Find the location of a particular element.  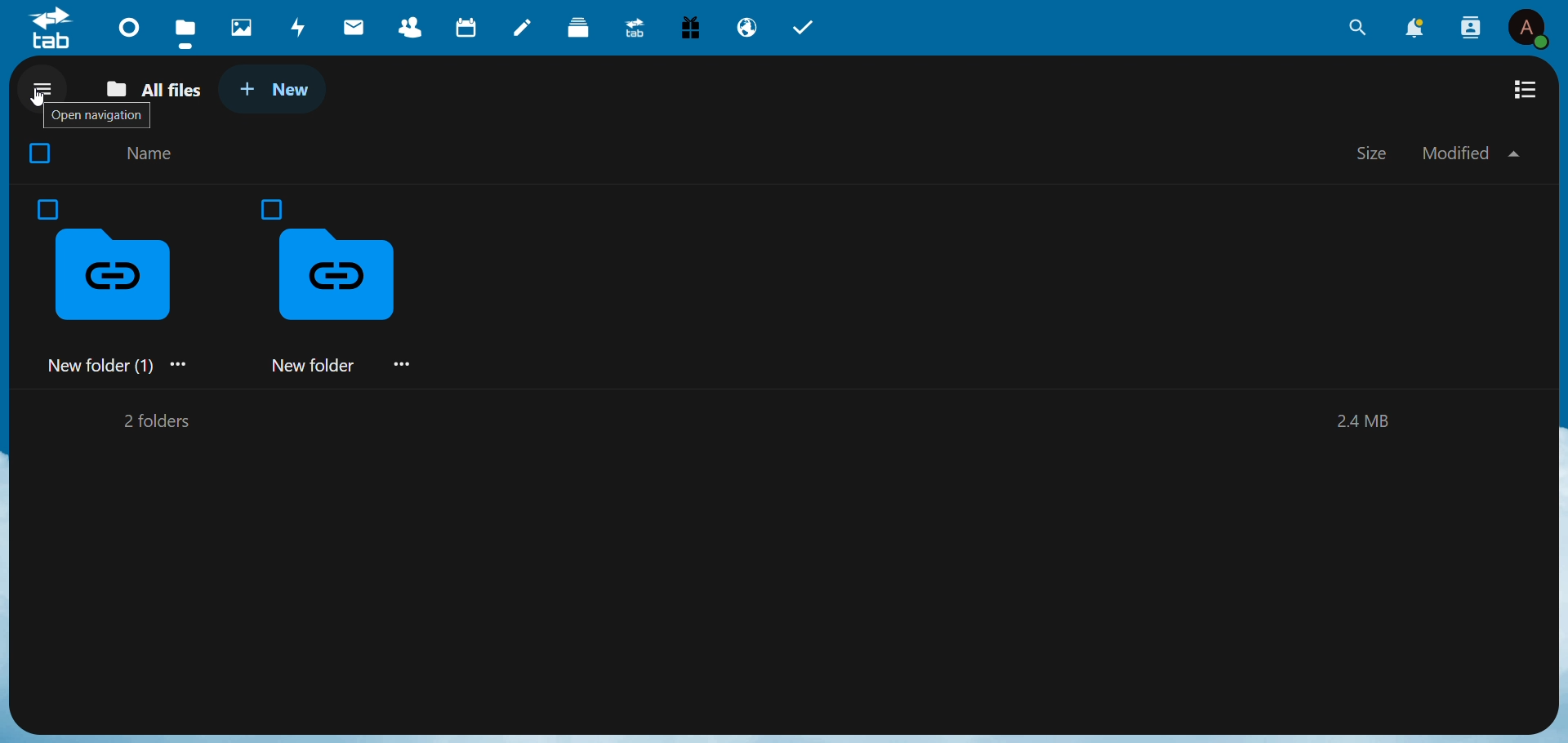

edit is located at coordinates (525, 29).